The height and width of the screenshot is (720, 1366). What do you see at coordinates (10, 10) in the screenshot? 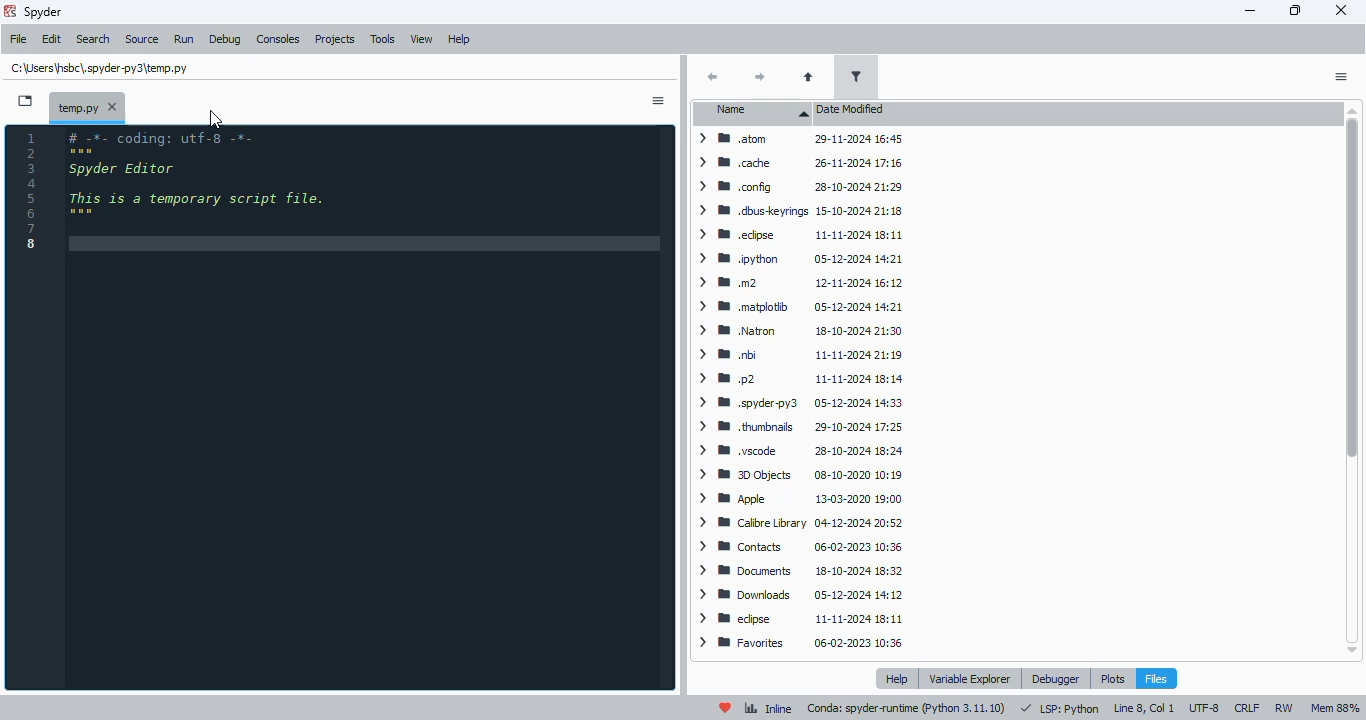
I see `logo` at bounding box center [10, 10].